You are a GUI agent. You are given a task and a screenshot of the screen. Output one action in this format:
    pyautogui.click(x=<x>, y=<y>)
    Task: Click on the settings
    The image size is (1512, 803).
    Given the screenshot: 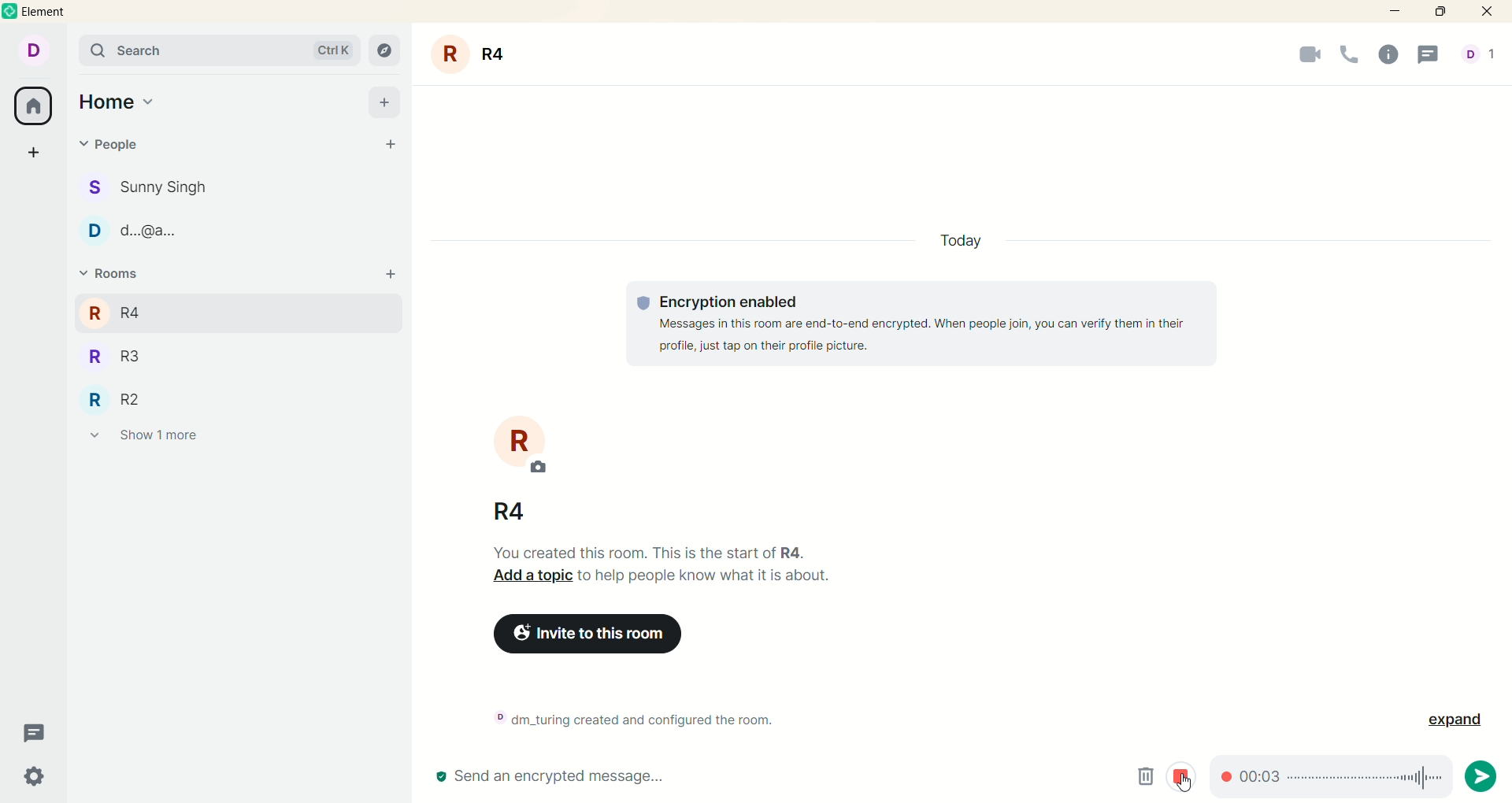 What is the action you would take?
    pyautogui.click(x=35, y=777)
    